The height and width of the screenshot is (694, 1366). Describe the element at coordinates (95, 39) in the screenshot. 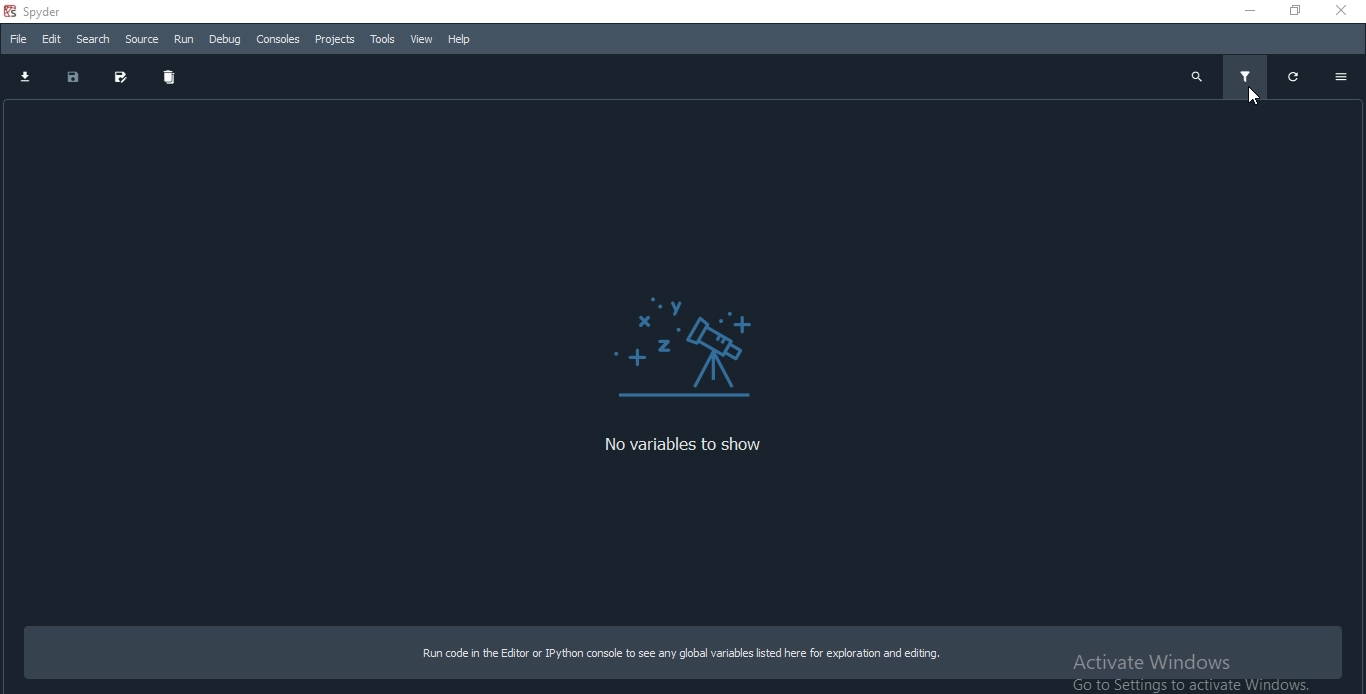

I see `Search` at that location.